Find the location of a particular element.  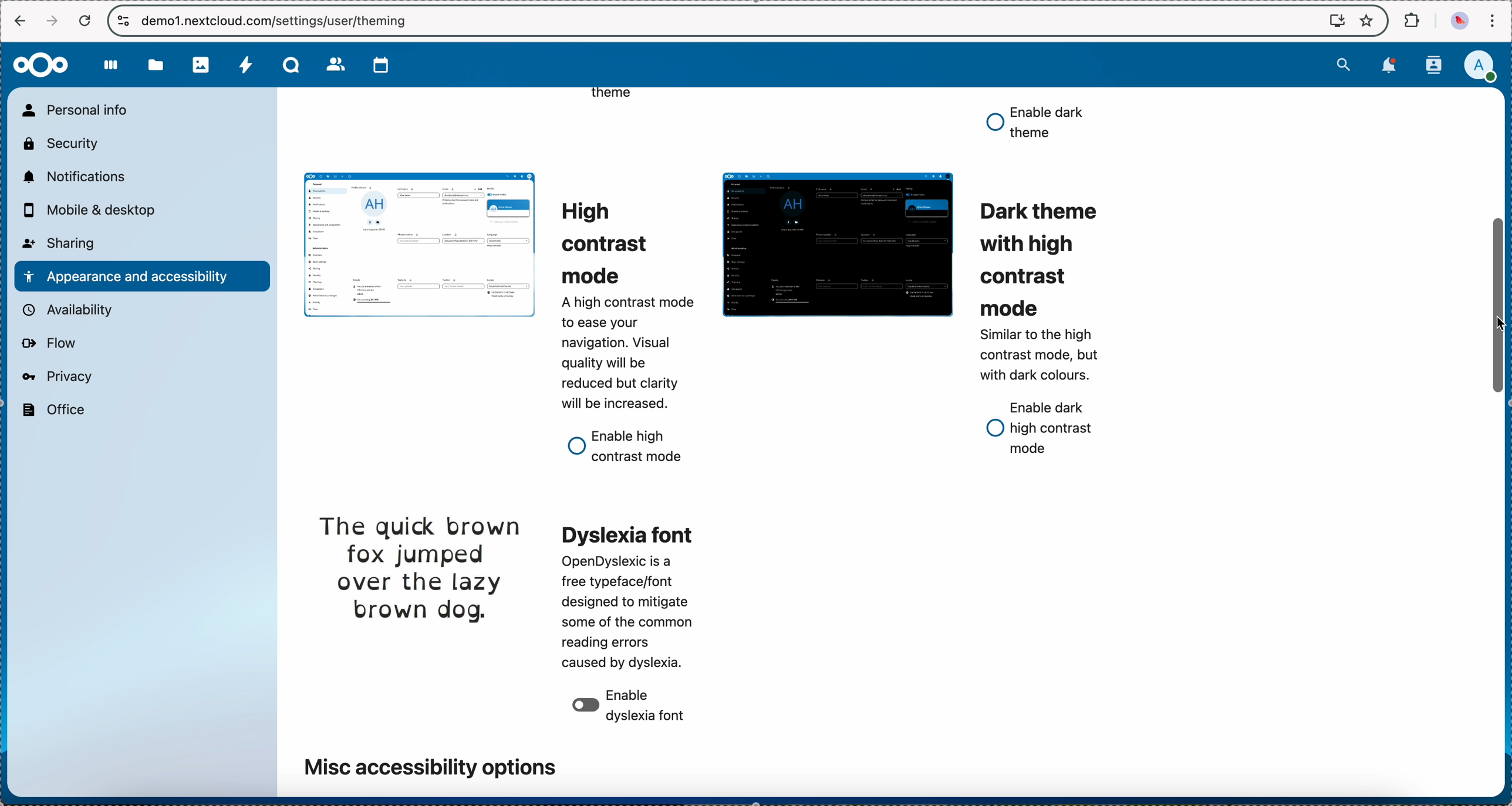

notifications is located at coordinates (76, 178).